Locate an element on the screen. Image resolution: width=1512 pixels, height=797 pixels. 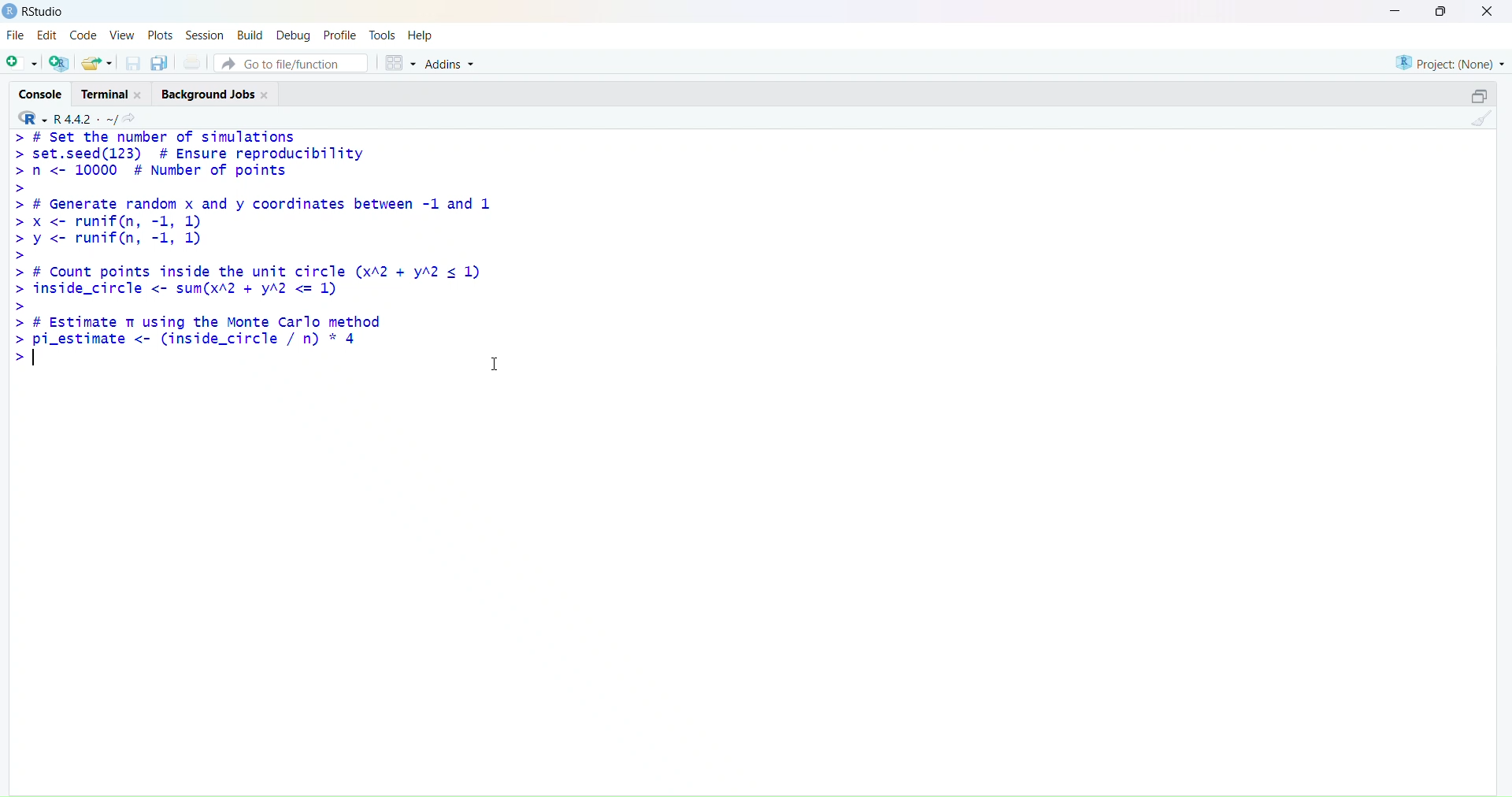
Terminal is located at coordinates (113, 94).